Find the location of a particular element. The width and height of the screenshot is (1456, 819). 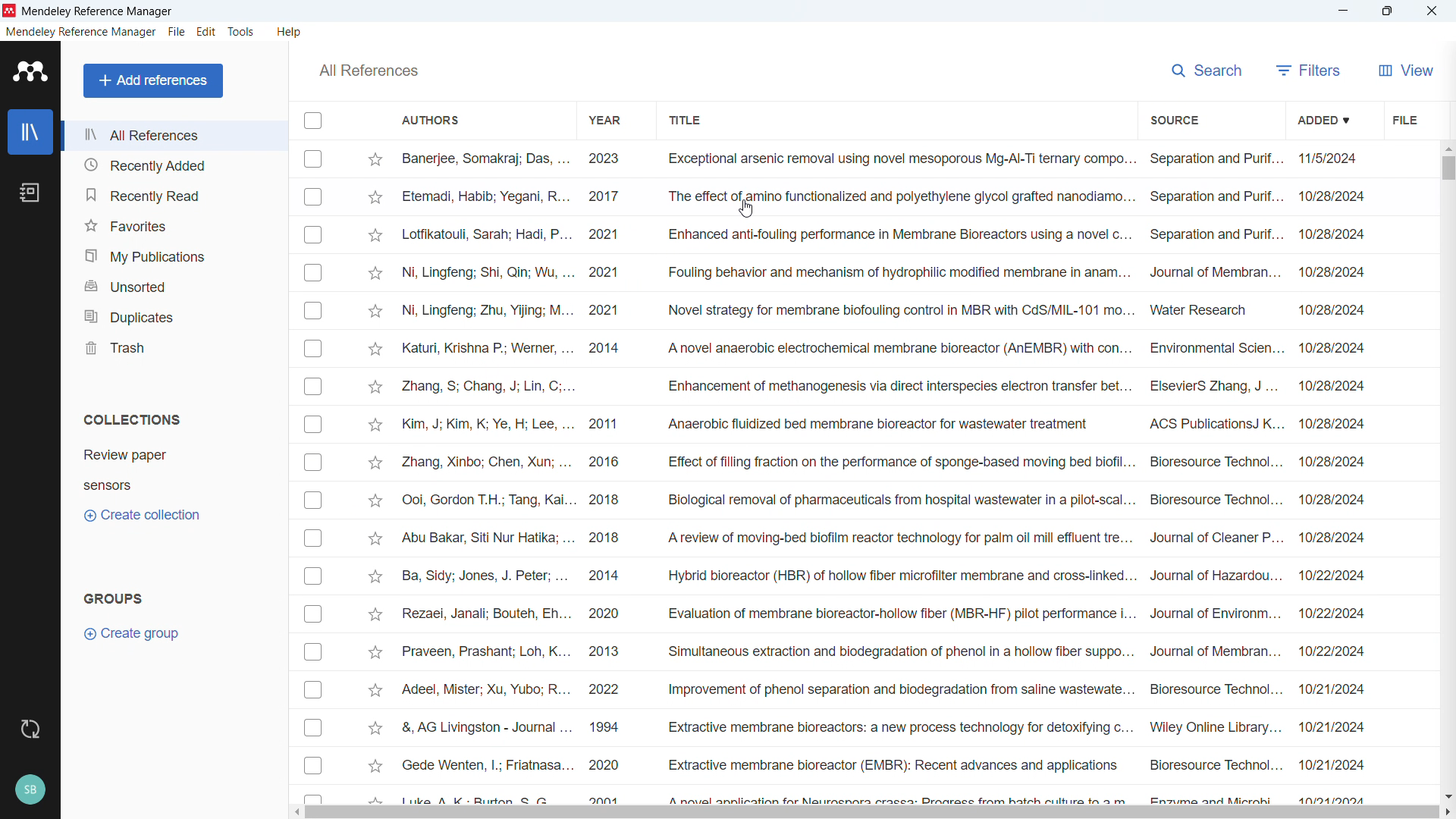

Sort by source  is located at coordinates (1173, 120).